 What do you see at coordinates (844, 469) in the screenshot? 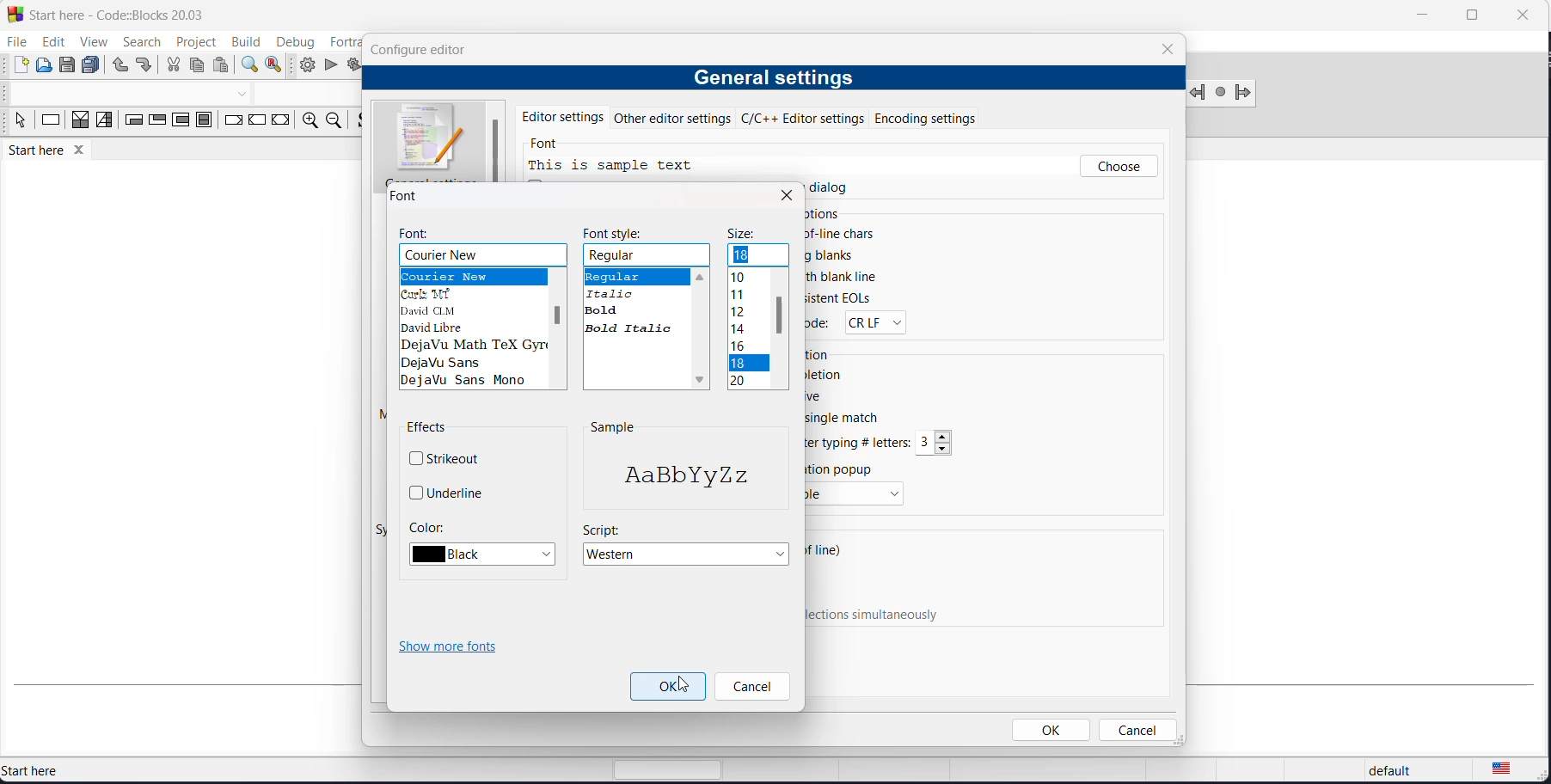
I see `Popup` at bounding box center [844, 469].